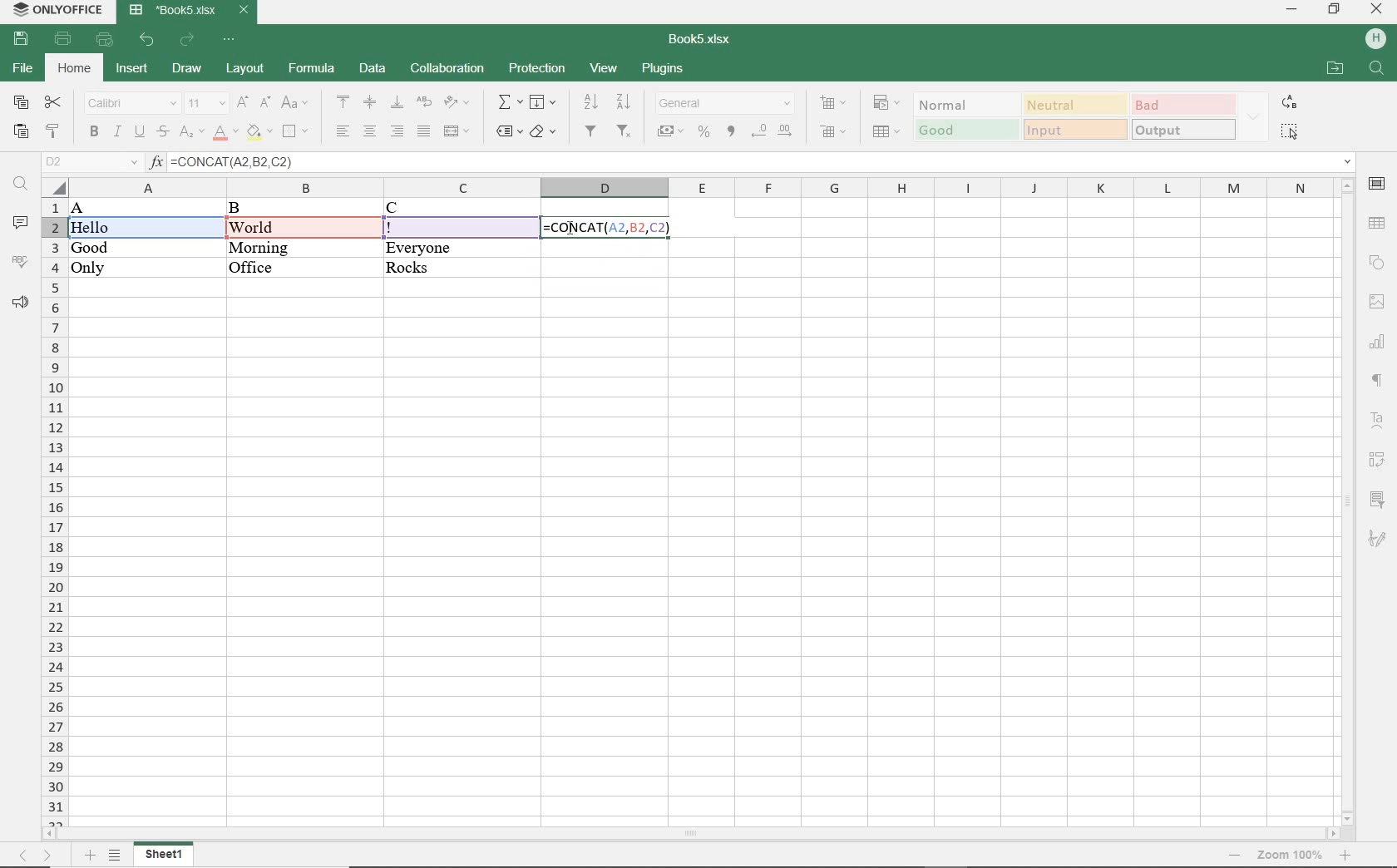 The width and height of the screenshot is (1397, 868). What do you see at coordinates (230, 40) in the screenshot?
I see `CUSTOMIZE QUICK ACCESS TOOLBAR` at bounding box center [230, 40].